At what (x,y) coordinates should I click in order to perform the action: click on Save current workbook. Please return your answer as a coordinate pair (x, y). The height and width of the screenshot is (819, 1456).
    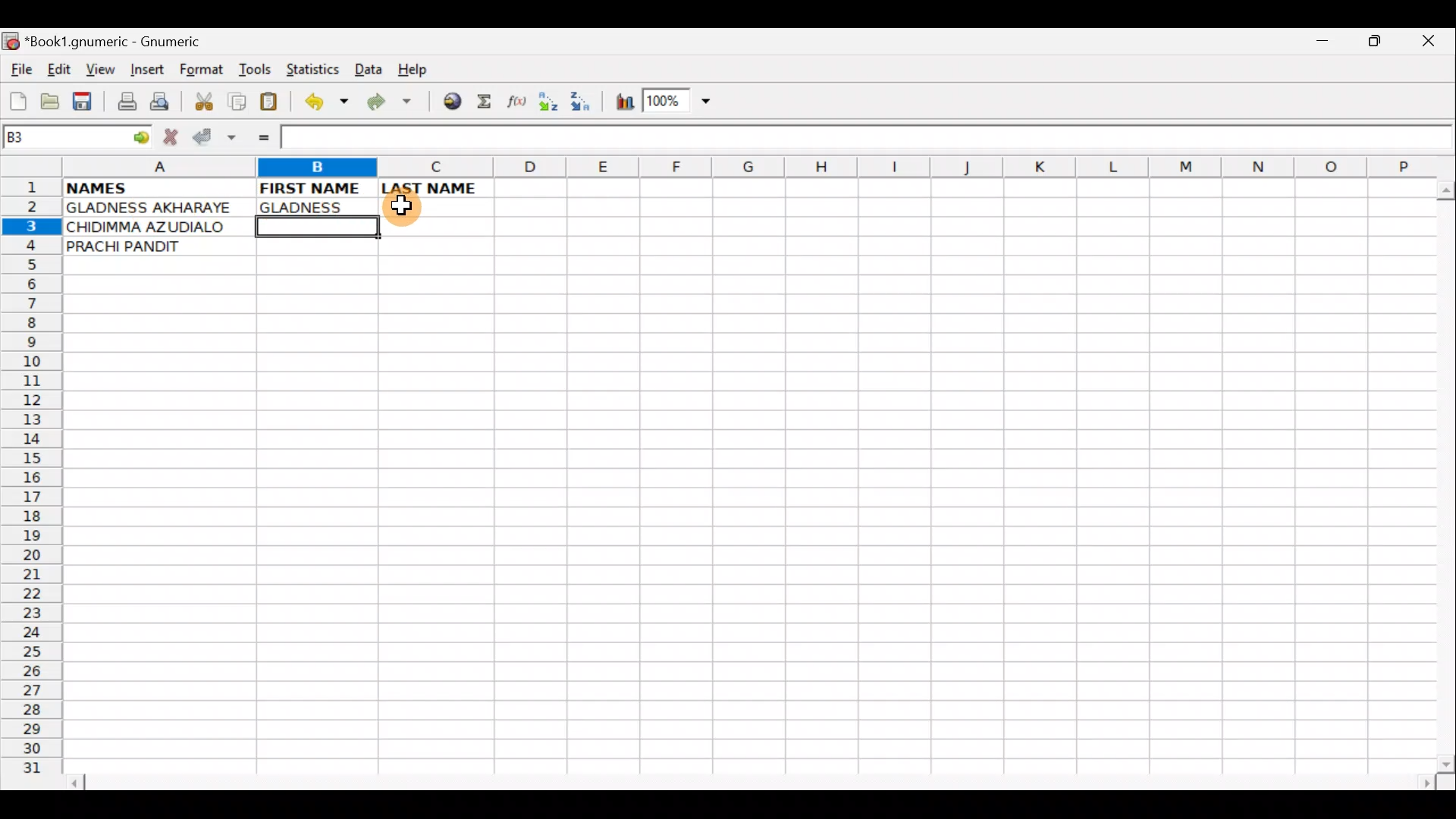
    Looking at the image, I should click on (86, 102).